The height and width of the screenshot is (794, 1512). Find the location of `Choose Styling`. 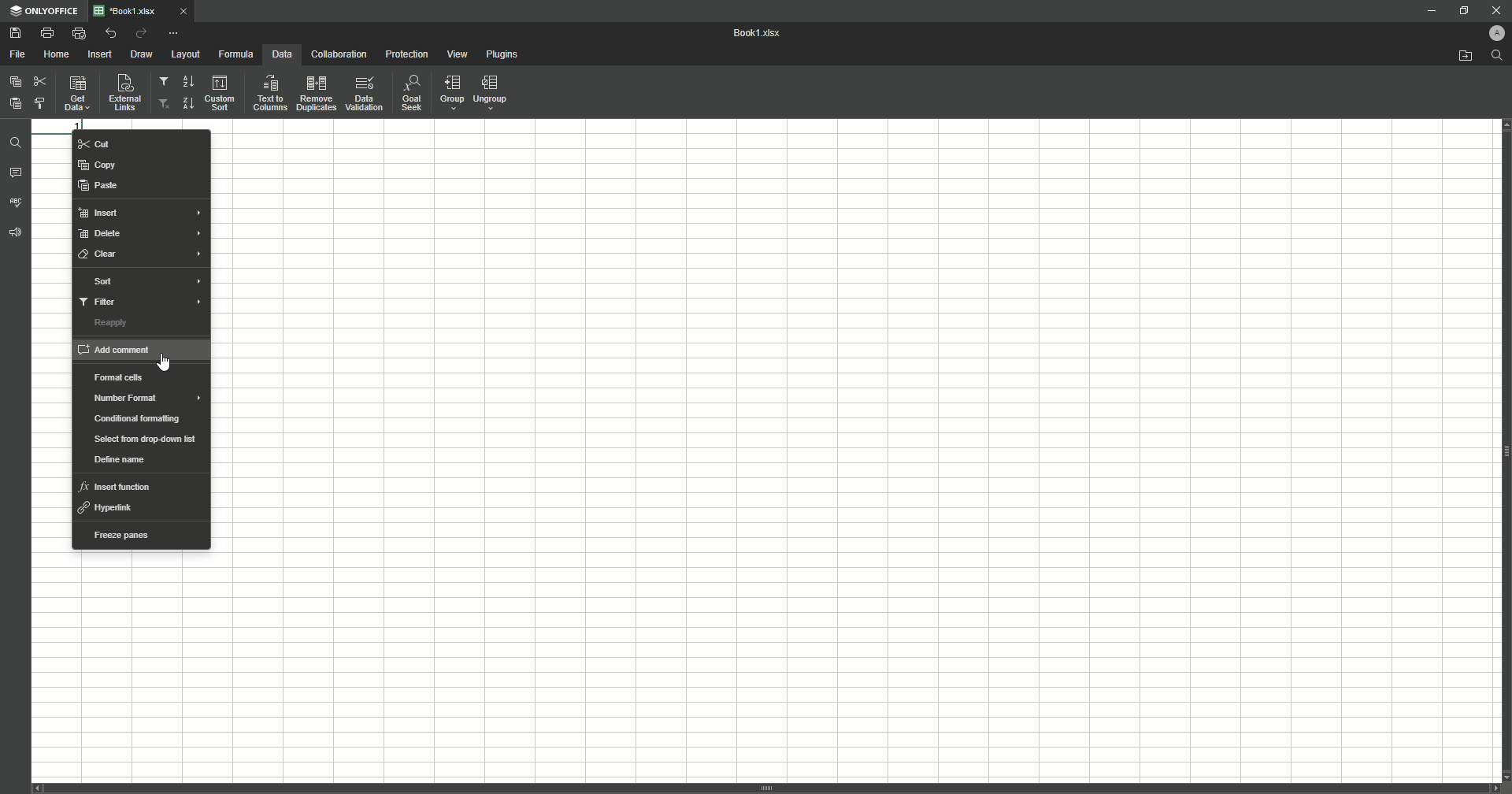

Choose Styling is located at coordinates (43, 103).